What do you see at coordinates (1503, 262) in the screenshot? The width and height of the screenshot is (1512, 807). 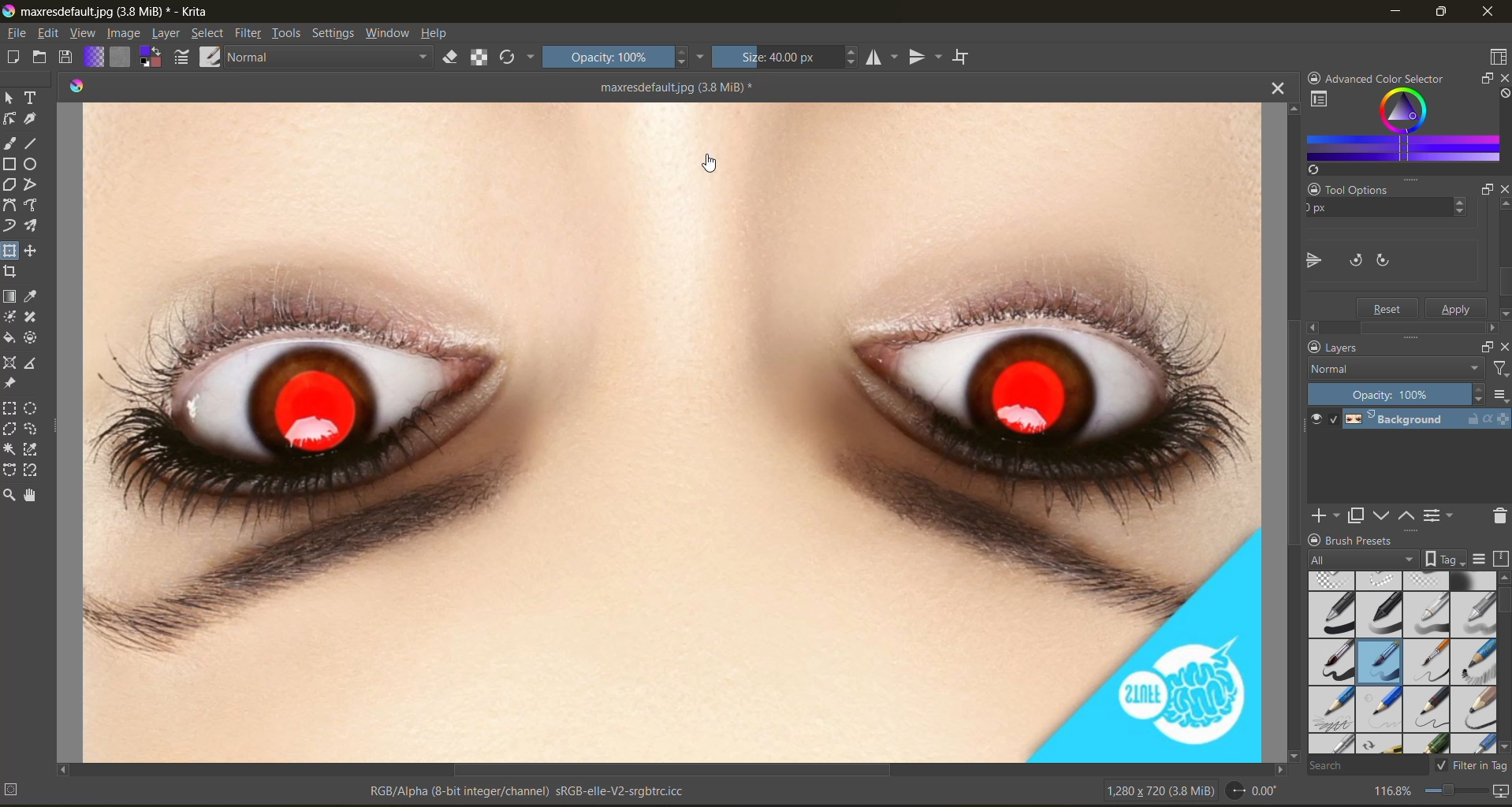 I see `vertical scroll bar` at bounding box center [1503, 262].